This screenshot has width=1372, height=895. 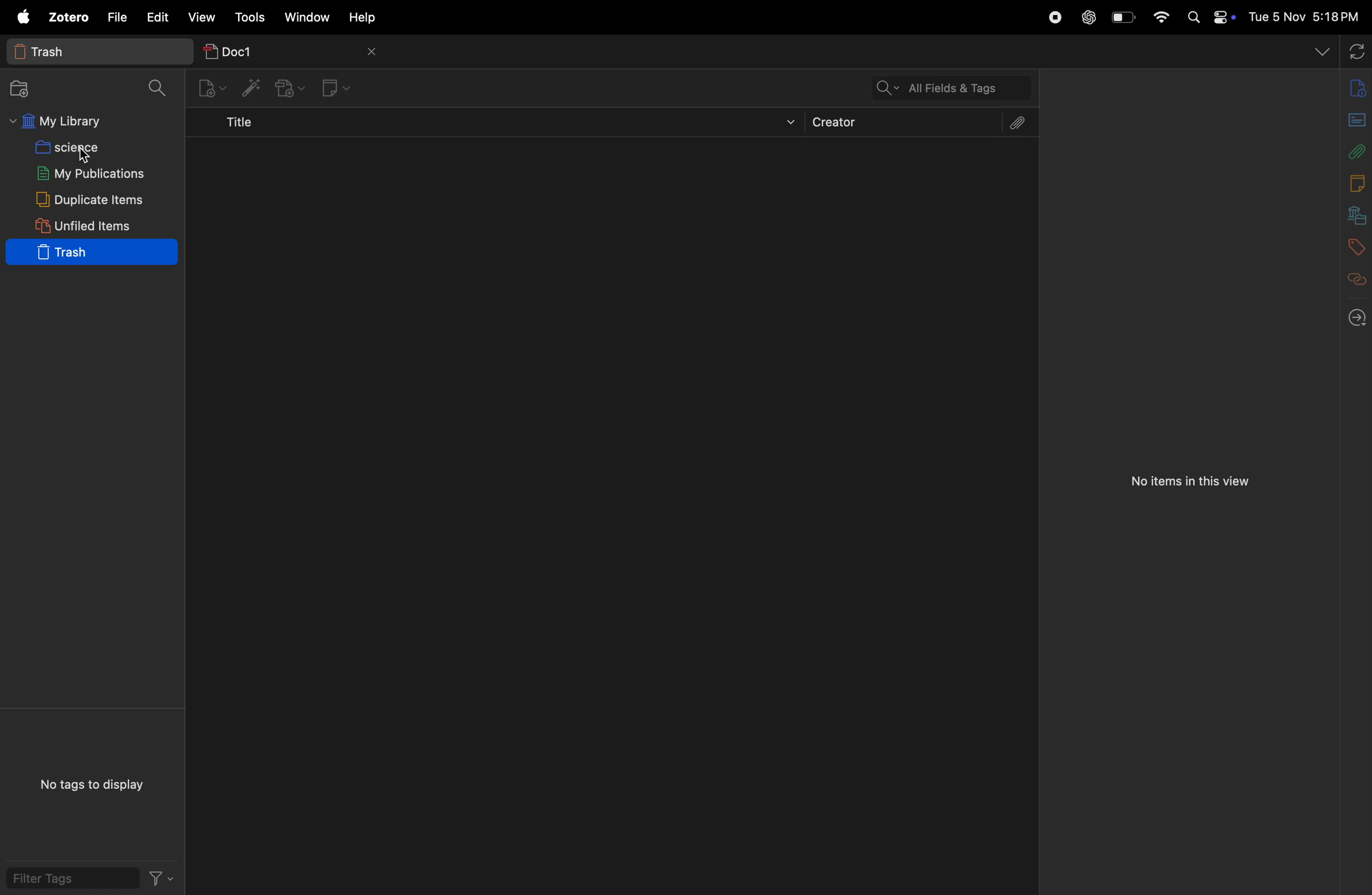 What do you see at coordinates (91, 198) in the screenshot?
I see `duplicate items` at bounding box center [91, 198].